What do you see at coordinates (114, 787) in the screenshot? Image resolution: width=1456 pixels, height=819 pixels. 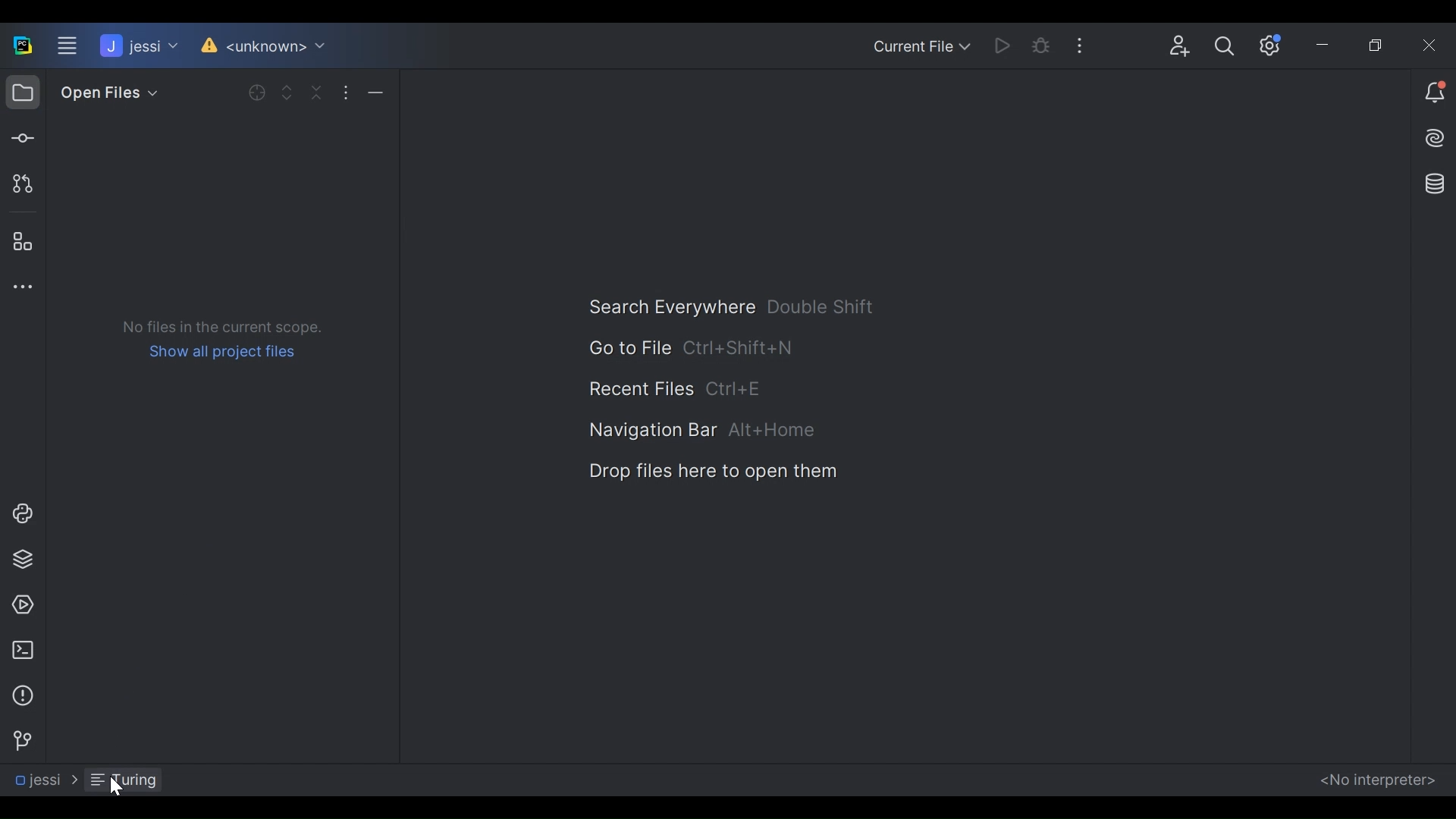 I see `Cursor` at bounding box center [114, 787].